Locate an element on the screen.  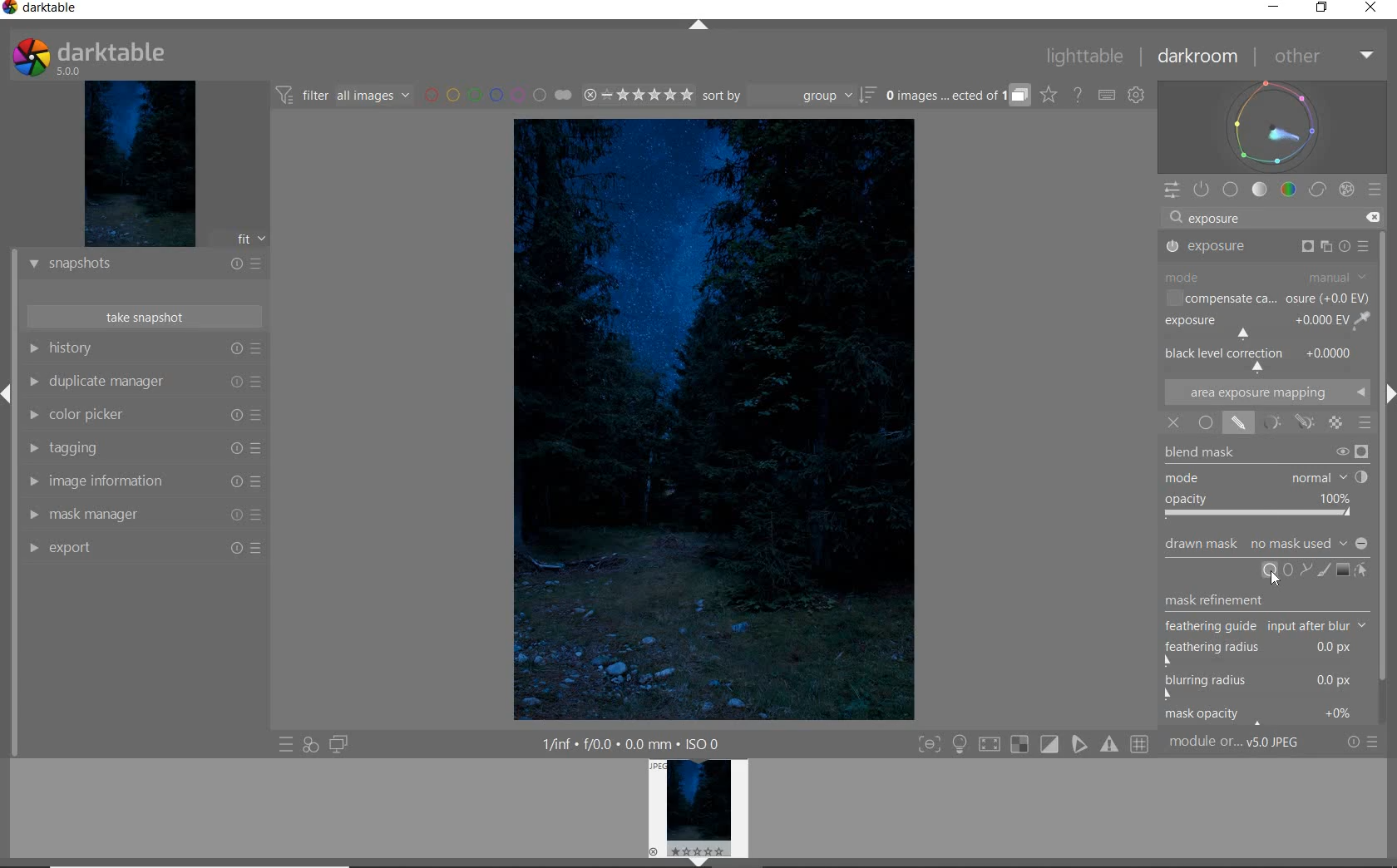
DARKROOM is located at coordinates (1197, 57).